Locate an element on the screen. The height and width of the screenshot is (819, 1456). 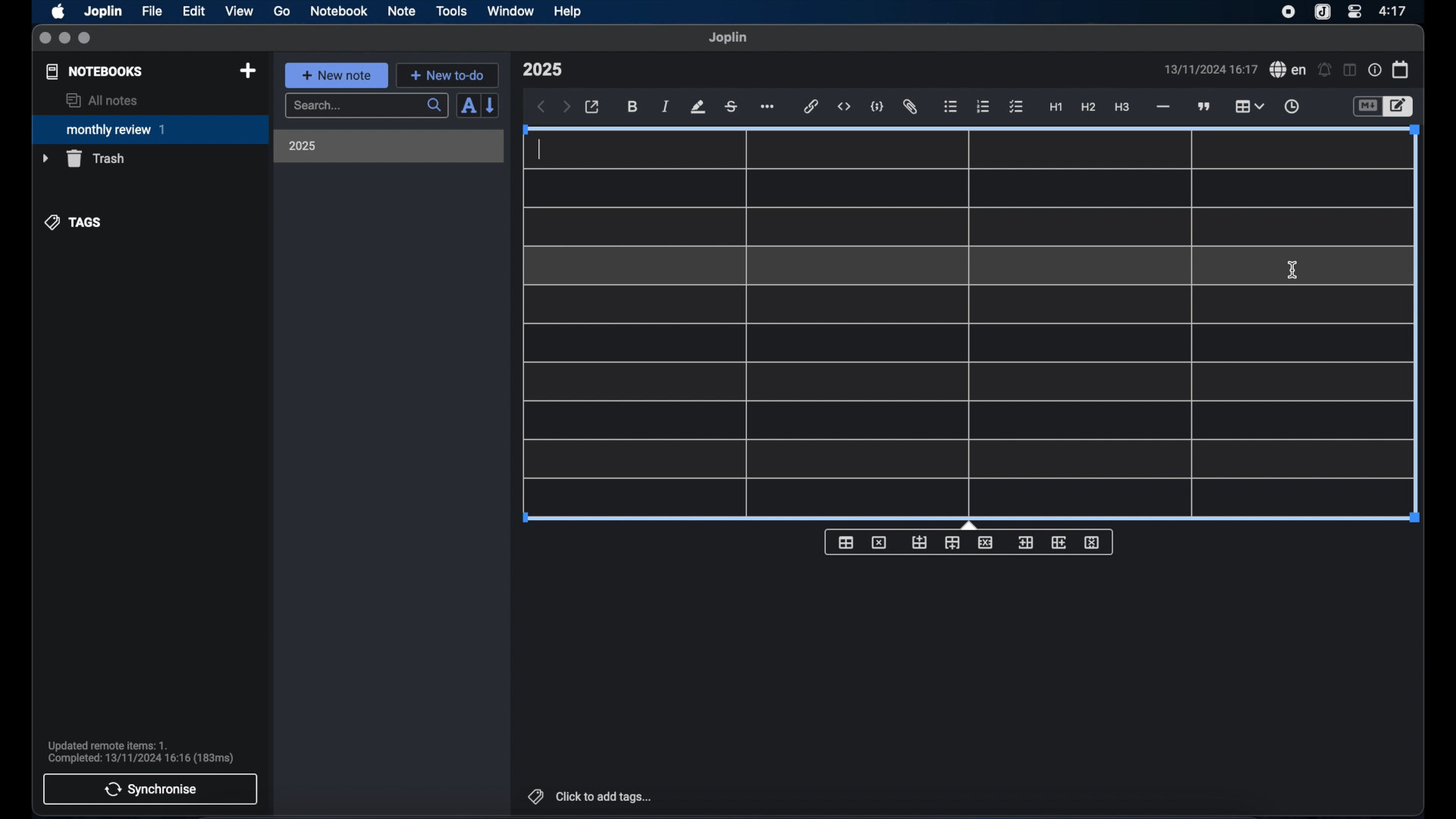
heading 2 is located at coordinates (1089, 108).